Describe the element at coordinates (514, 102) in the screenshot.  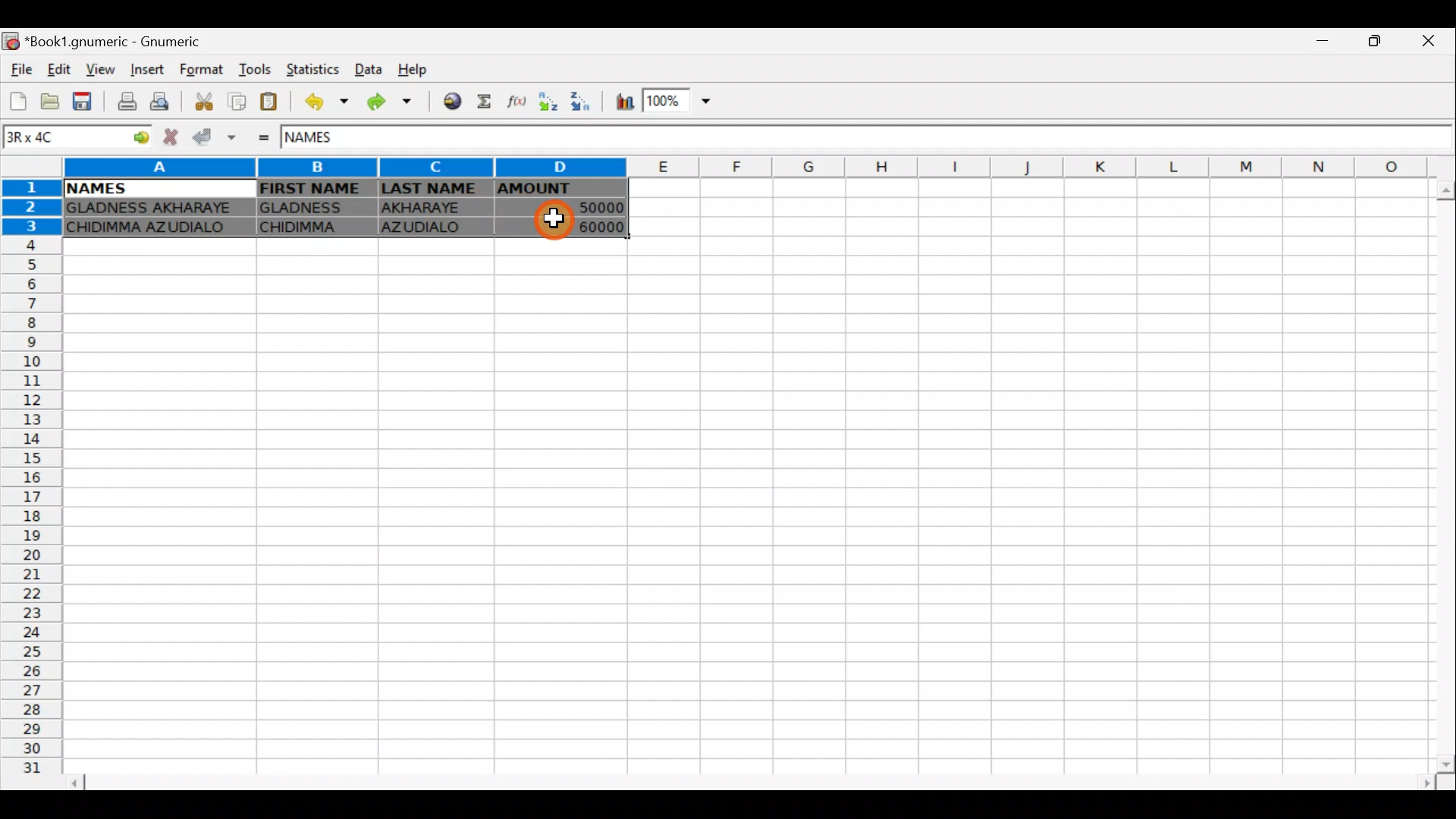
I see `Edit a function in the current cell` at that location.